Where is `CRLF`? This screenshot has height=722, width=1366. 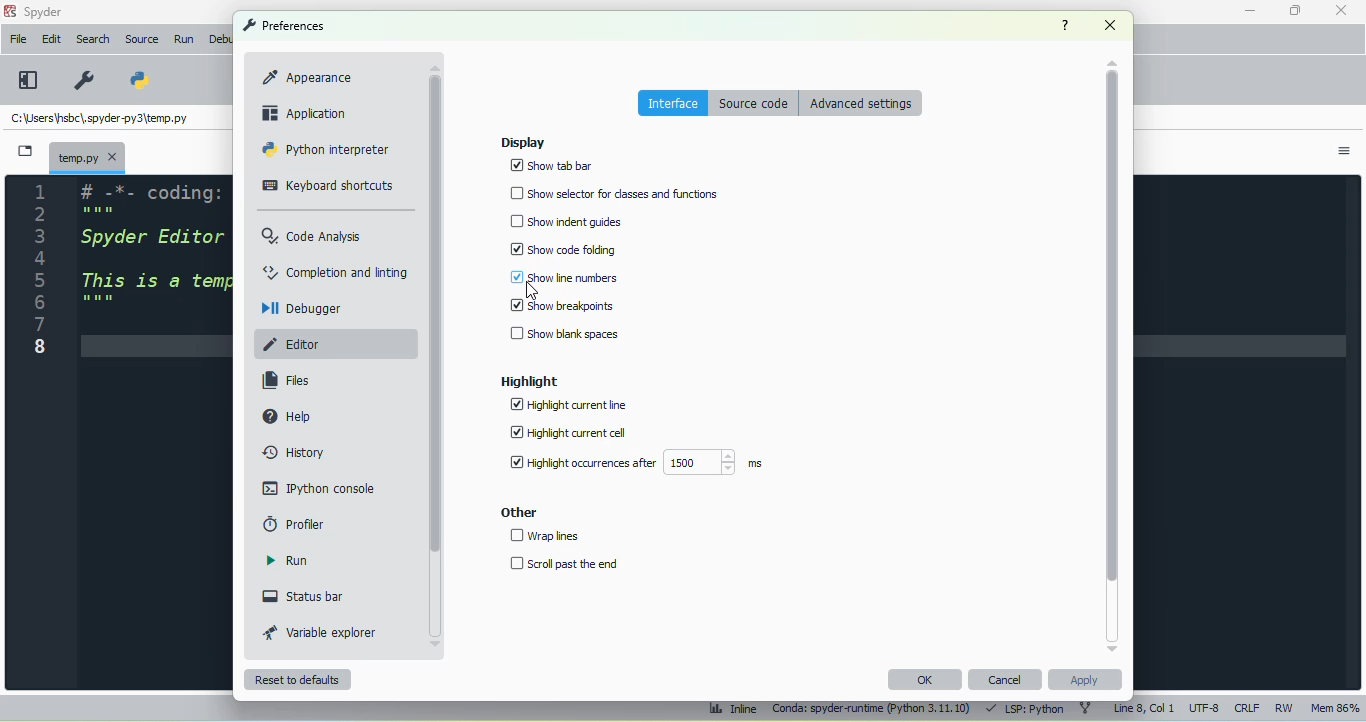
CRLF is located at coordinates (1247, 708).